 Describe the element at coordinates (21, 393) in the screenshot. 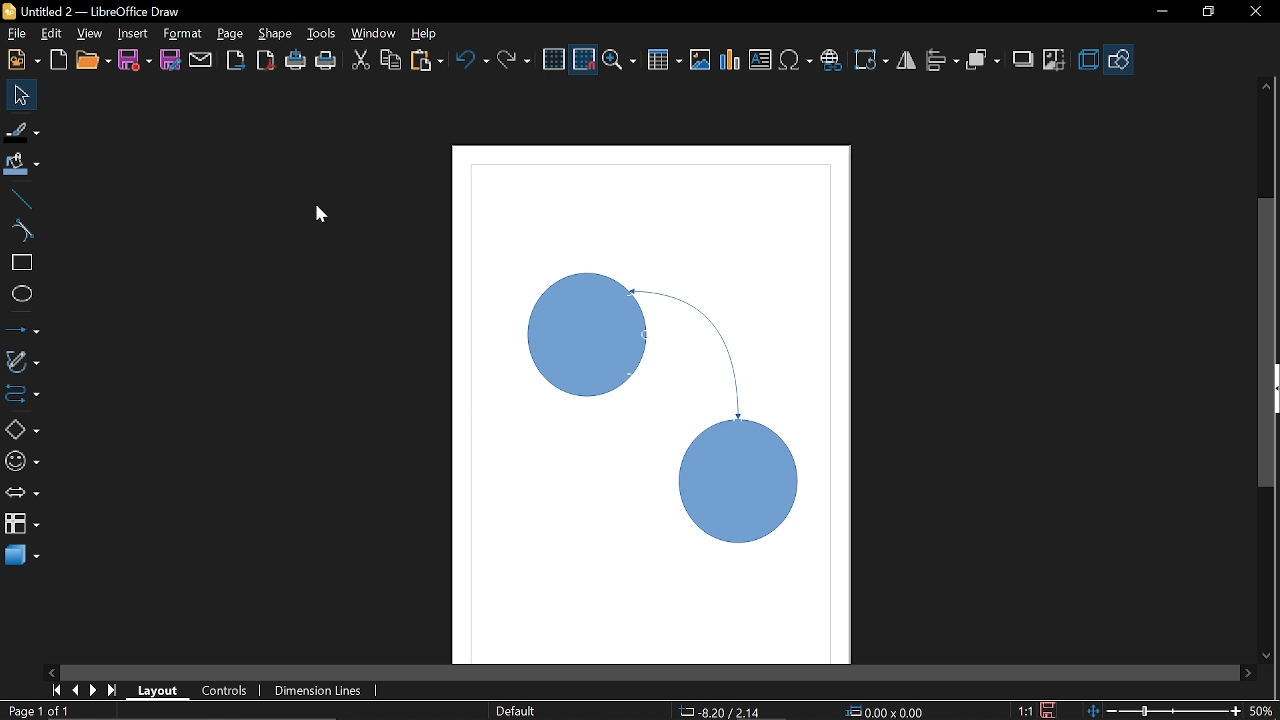

I see `COnnector` at that location.